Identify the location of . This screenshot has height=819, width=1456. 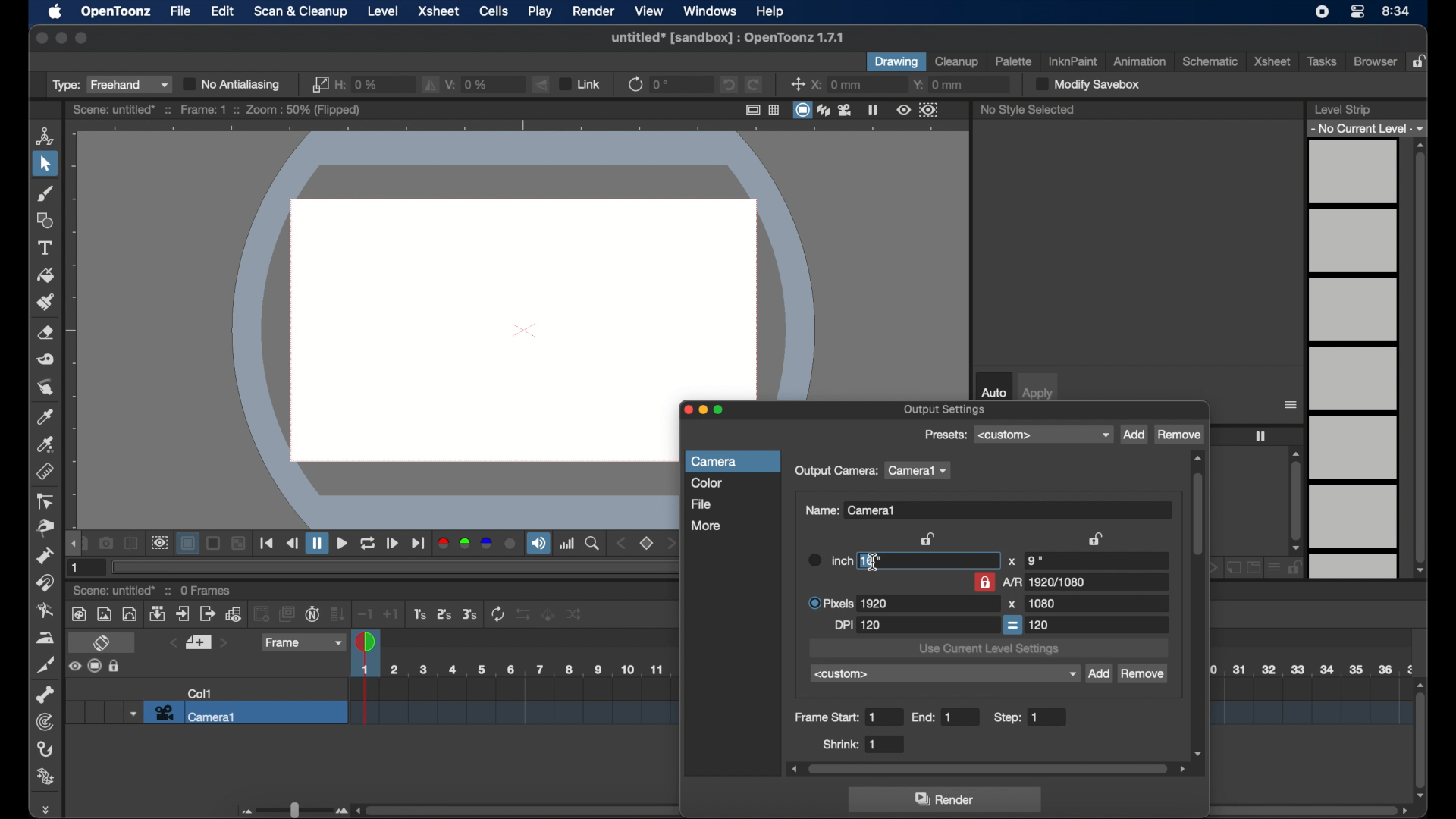
(945, 435).